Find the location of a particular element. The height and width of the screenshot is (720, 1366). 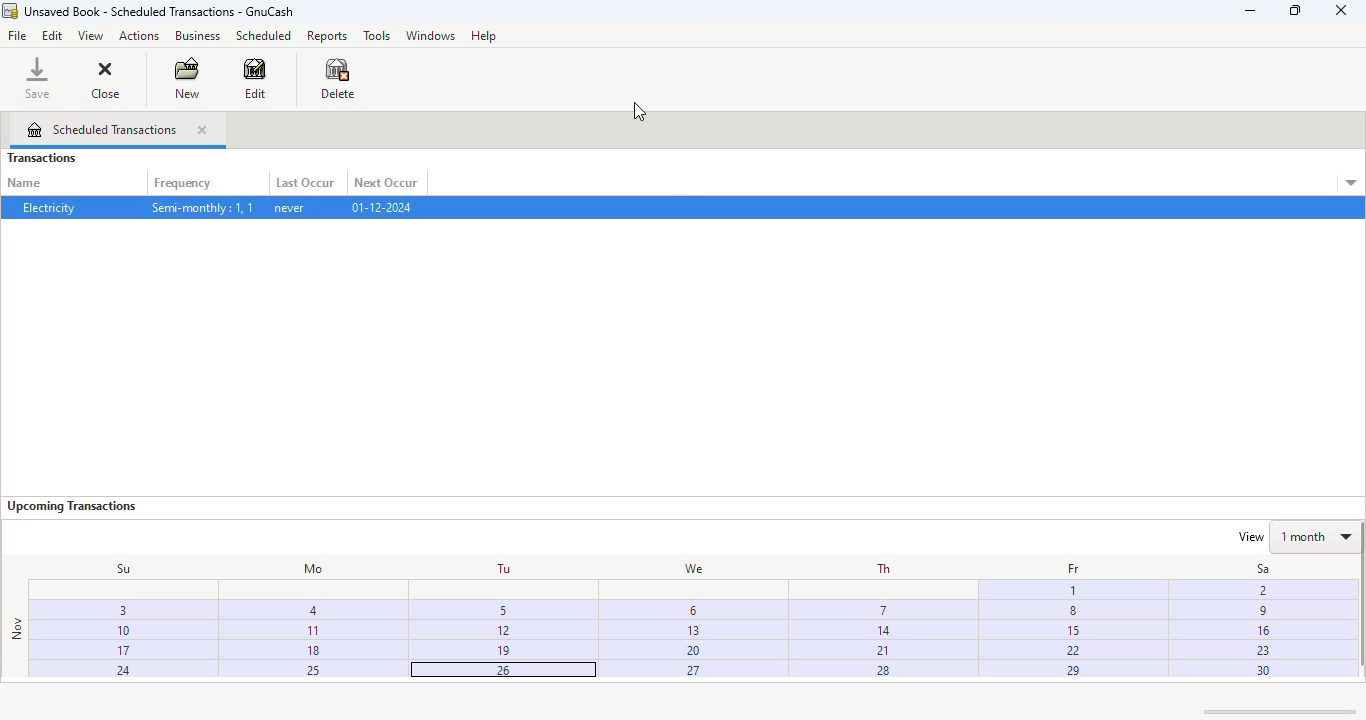

17 is located at coordinates (104, 652).